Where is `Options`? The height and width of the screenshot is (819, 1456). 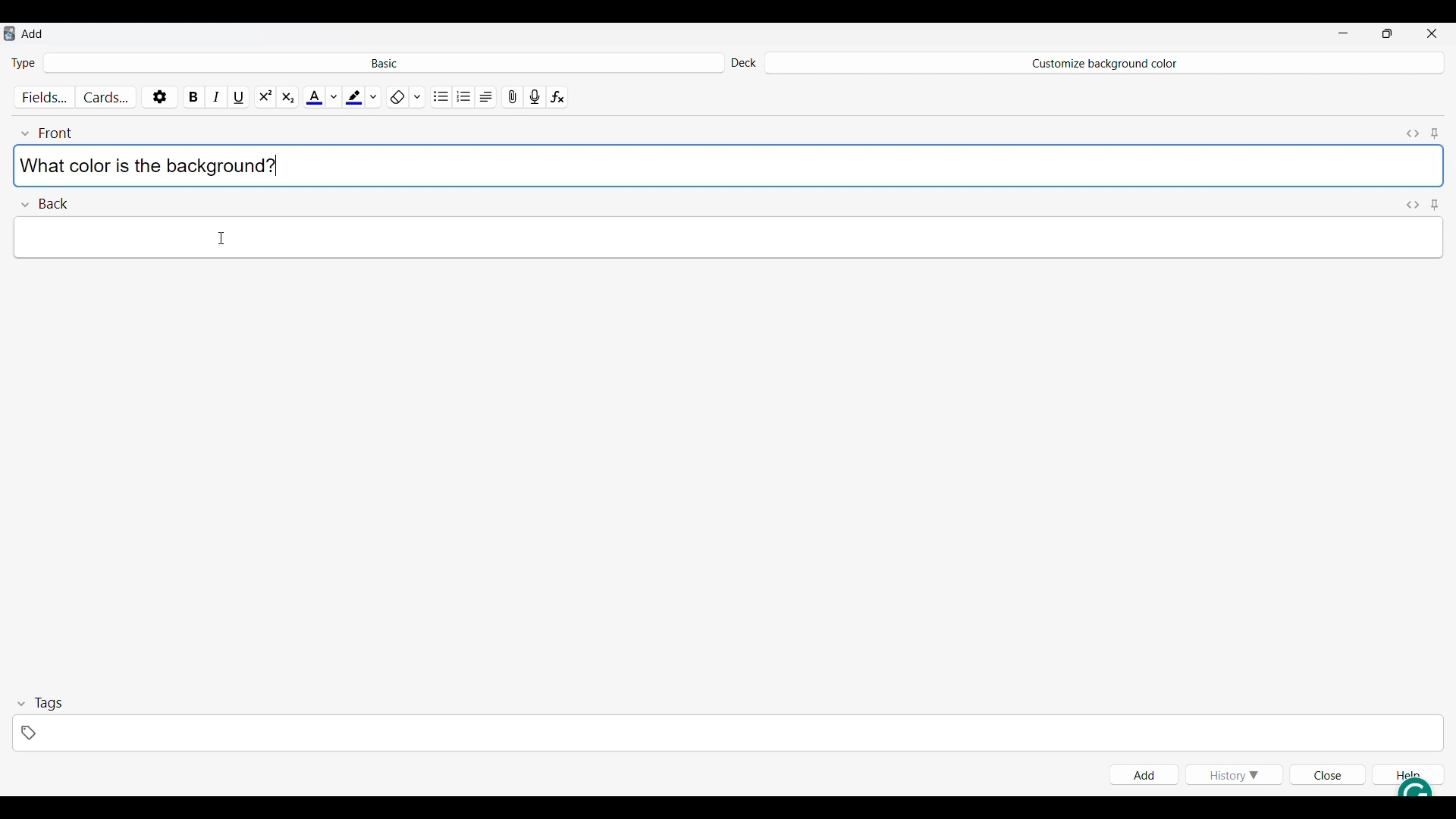 Options is located at coordinates (159, 94).